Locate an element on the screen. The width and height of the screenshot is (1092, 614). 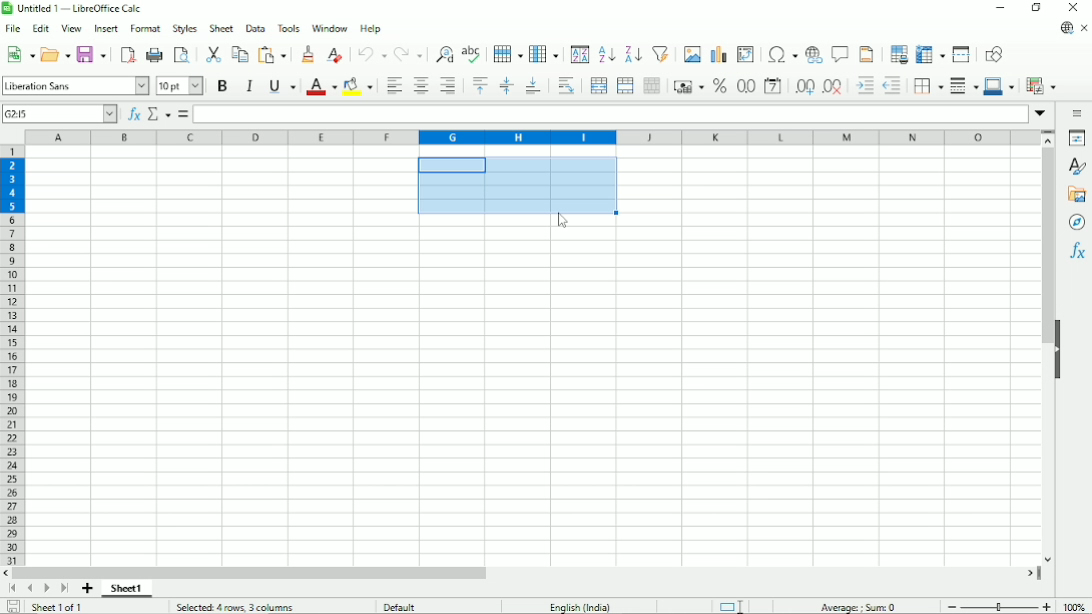
Add decimal place is located at coordinates (804, 88).